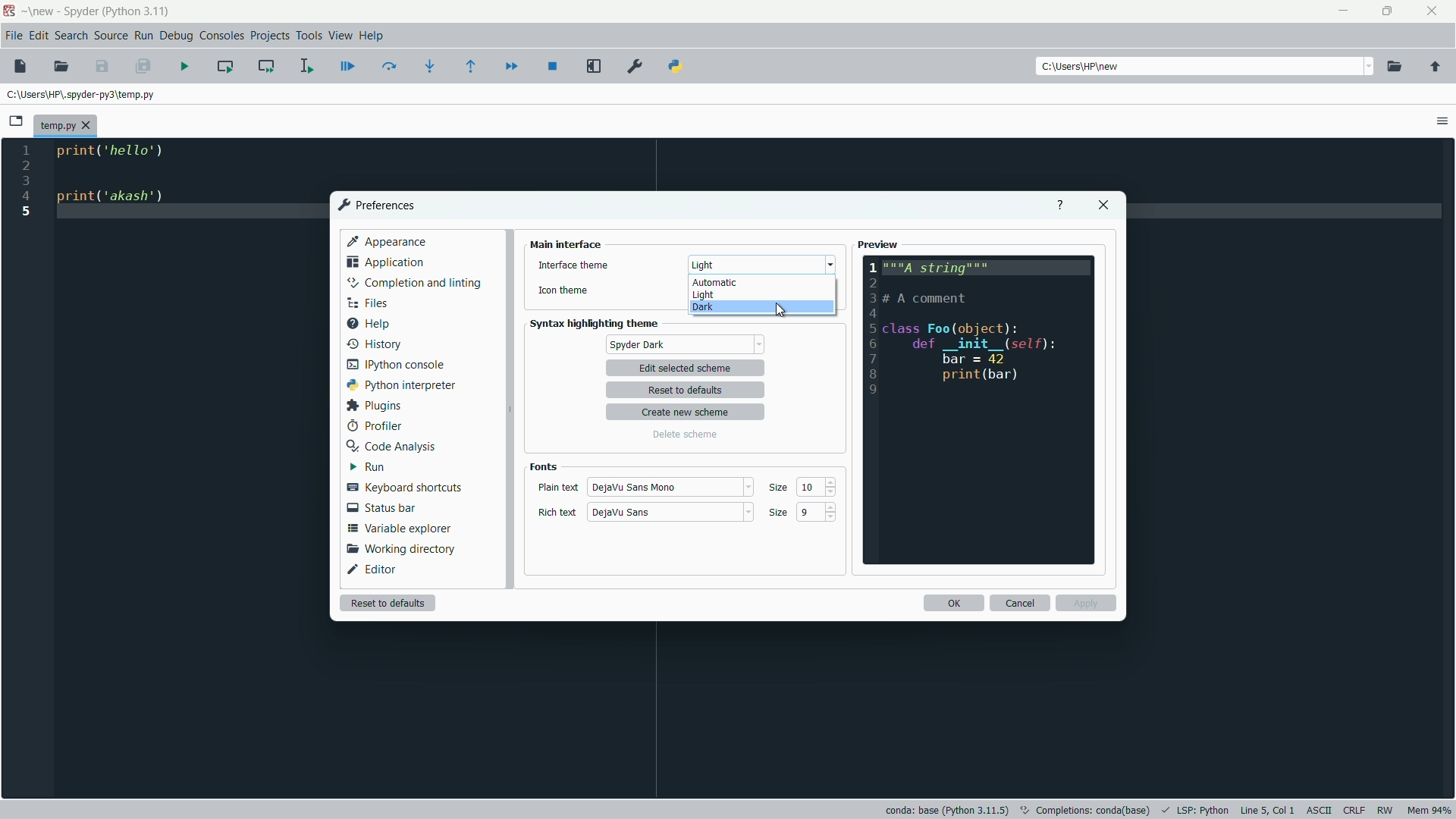 The height and width of the screenshot is (819, 1456). I want to click on syntax highlighting theme, so click(598, 324).